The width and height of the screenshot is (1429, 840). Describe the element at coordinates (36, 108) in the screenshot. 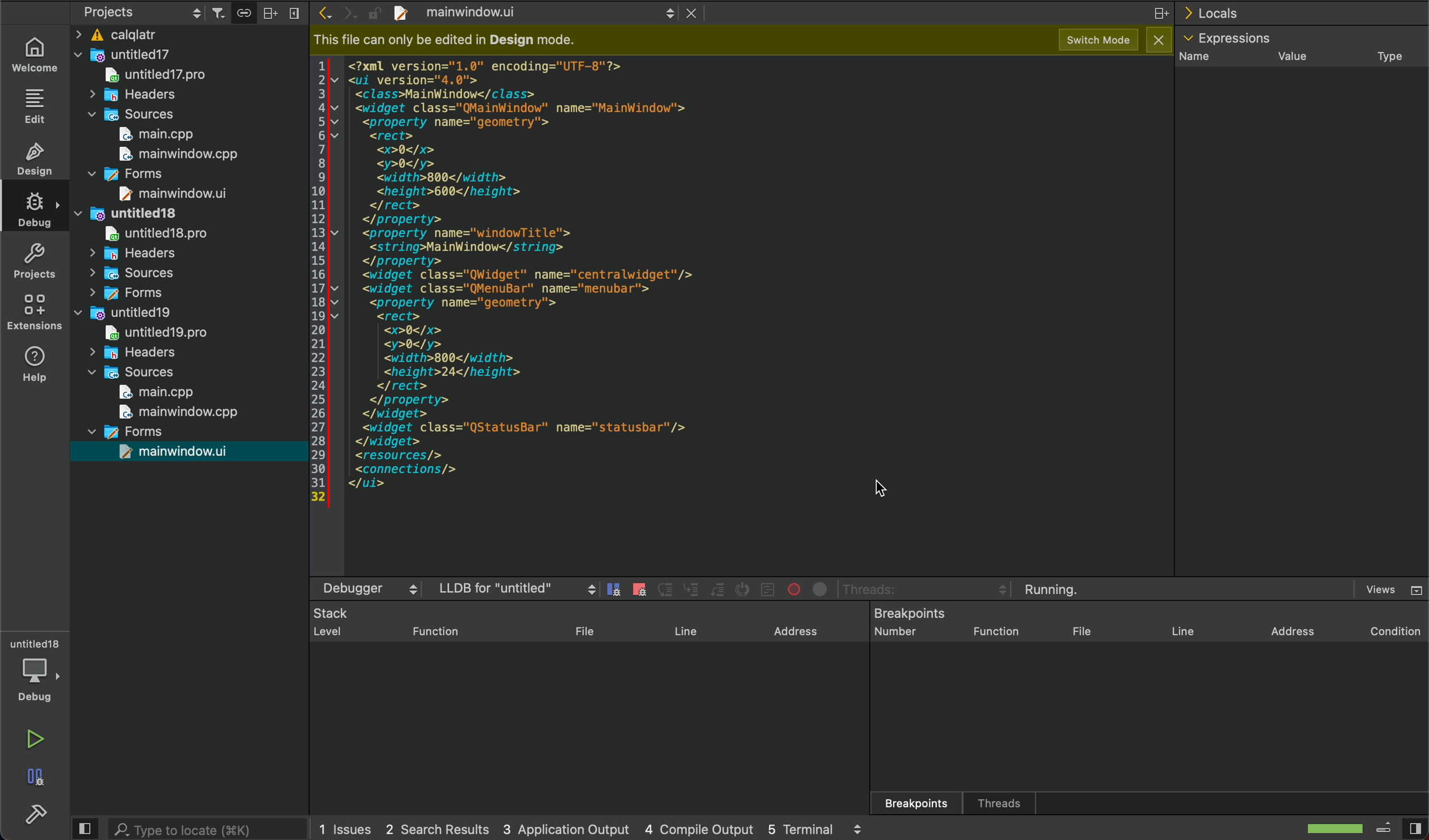

I see `edit` at that location.